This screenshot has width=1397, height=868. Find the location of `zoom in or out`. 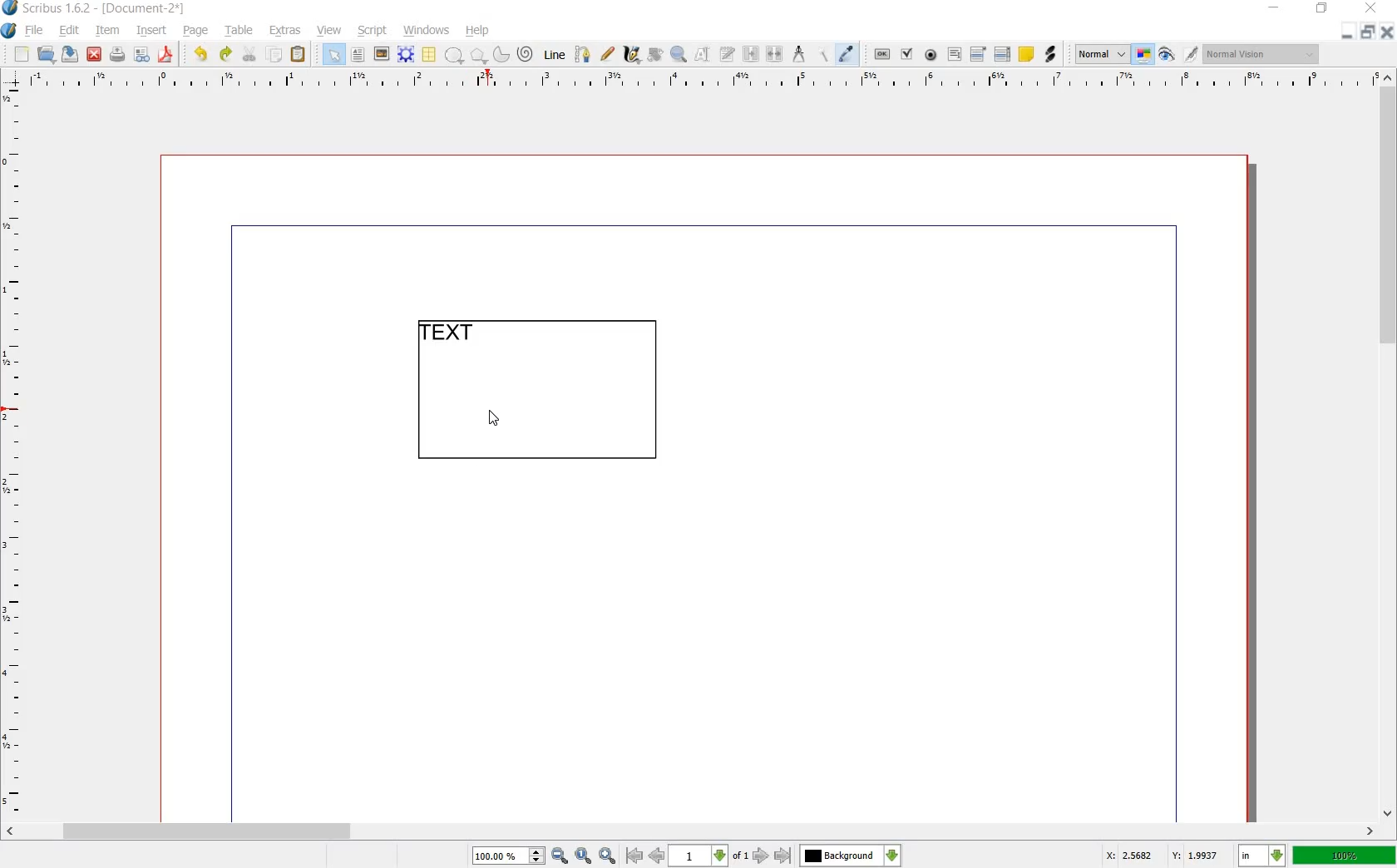

zoom in or out is located at coordinates (678, 56).